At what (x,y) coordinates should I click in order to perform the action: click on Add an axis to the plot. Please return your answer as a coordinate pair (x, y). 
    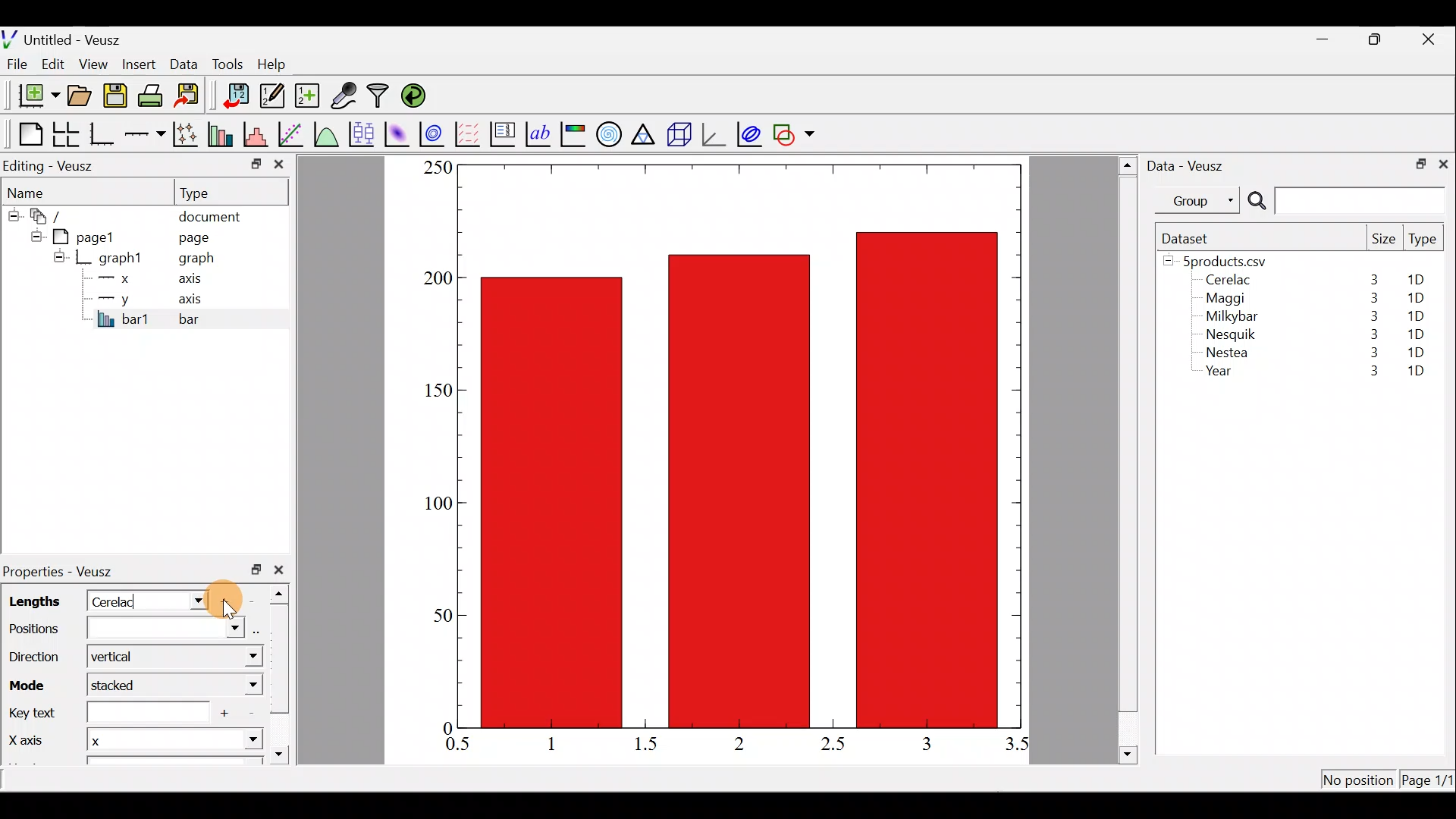
    Looking at the image, I should click on (148, 134).